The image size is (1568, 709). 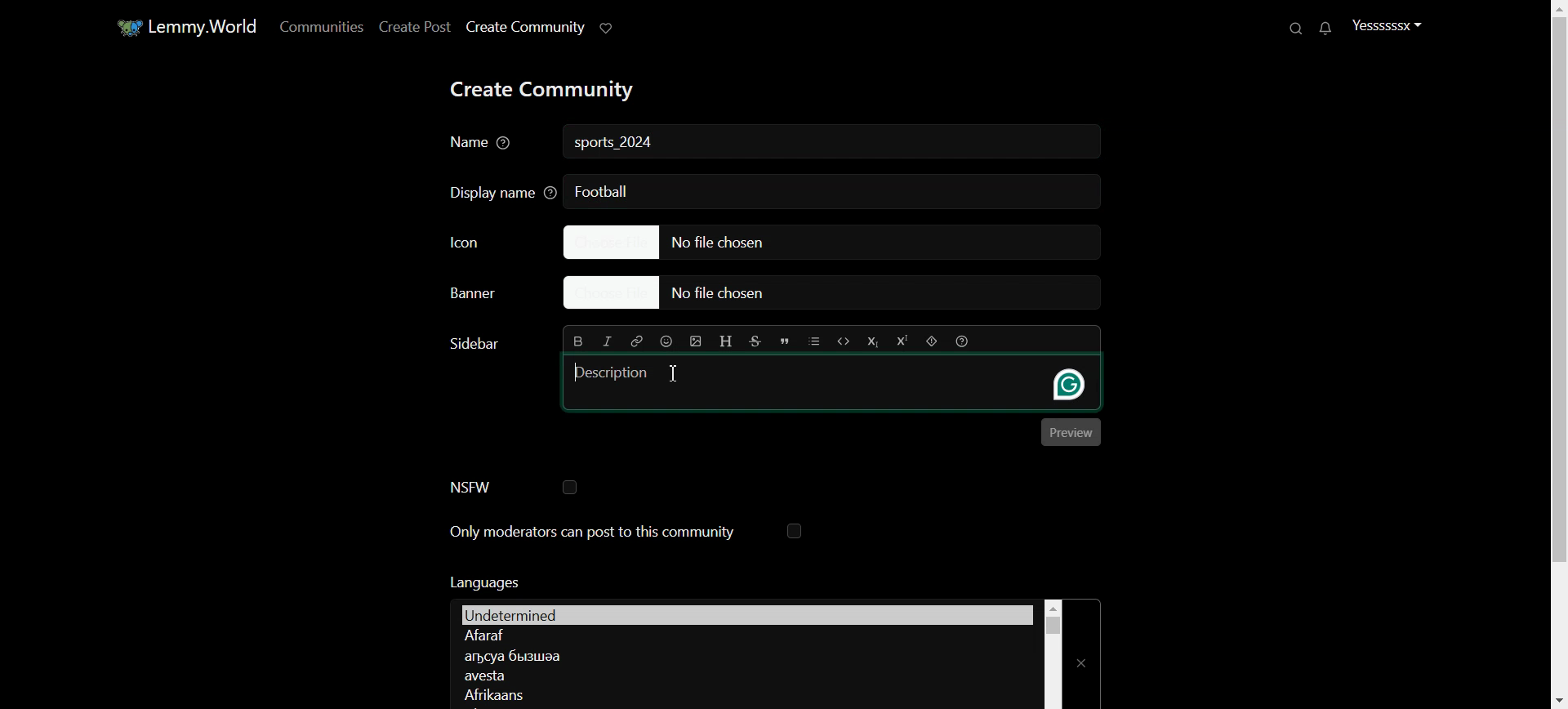 I want to click on , so click(x=544, y=91).